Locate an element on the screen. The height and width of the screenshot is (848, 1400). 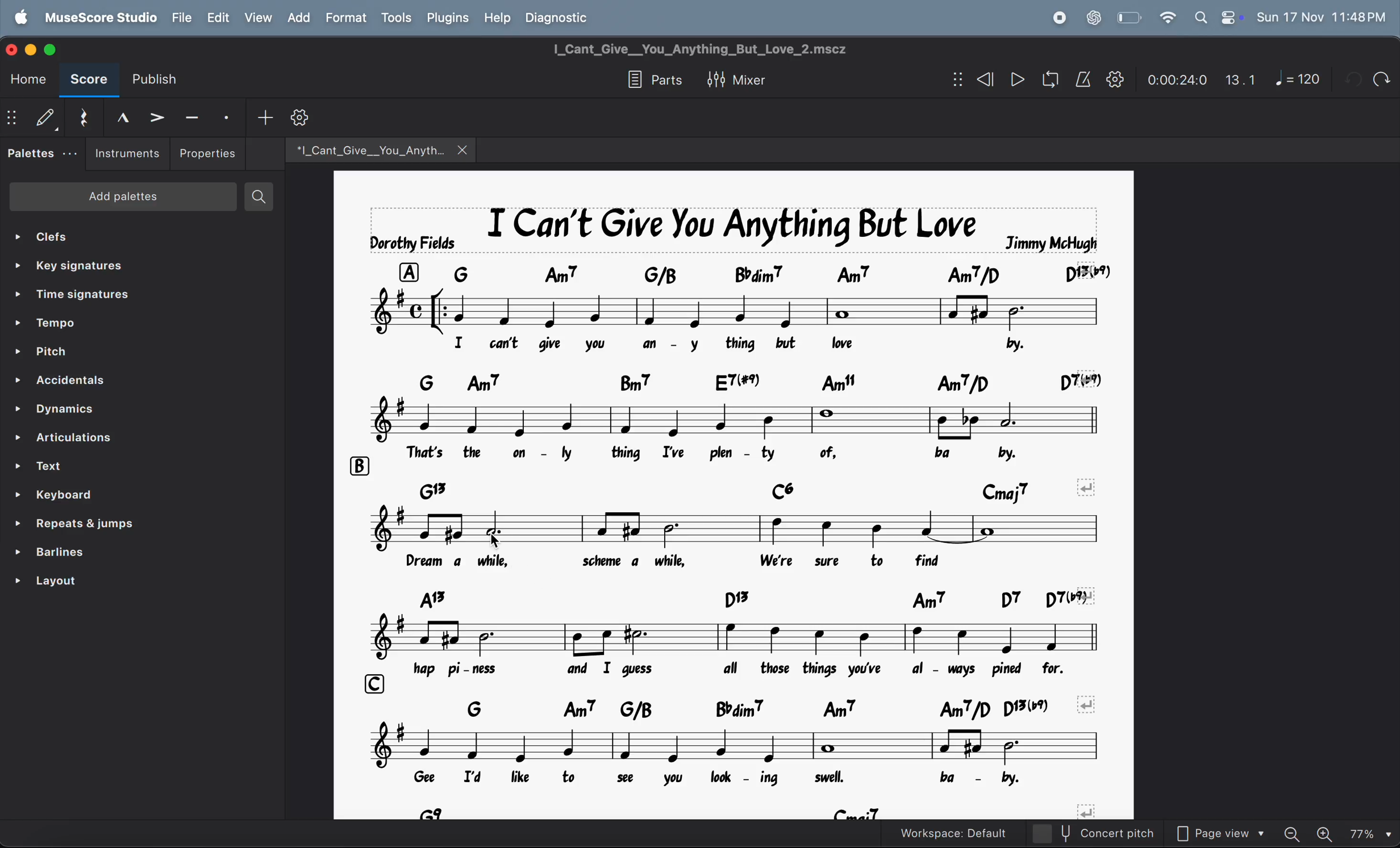
lyrics is located at coordinates (725, 778).